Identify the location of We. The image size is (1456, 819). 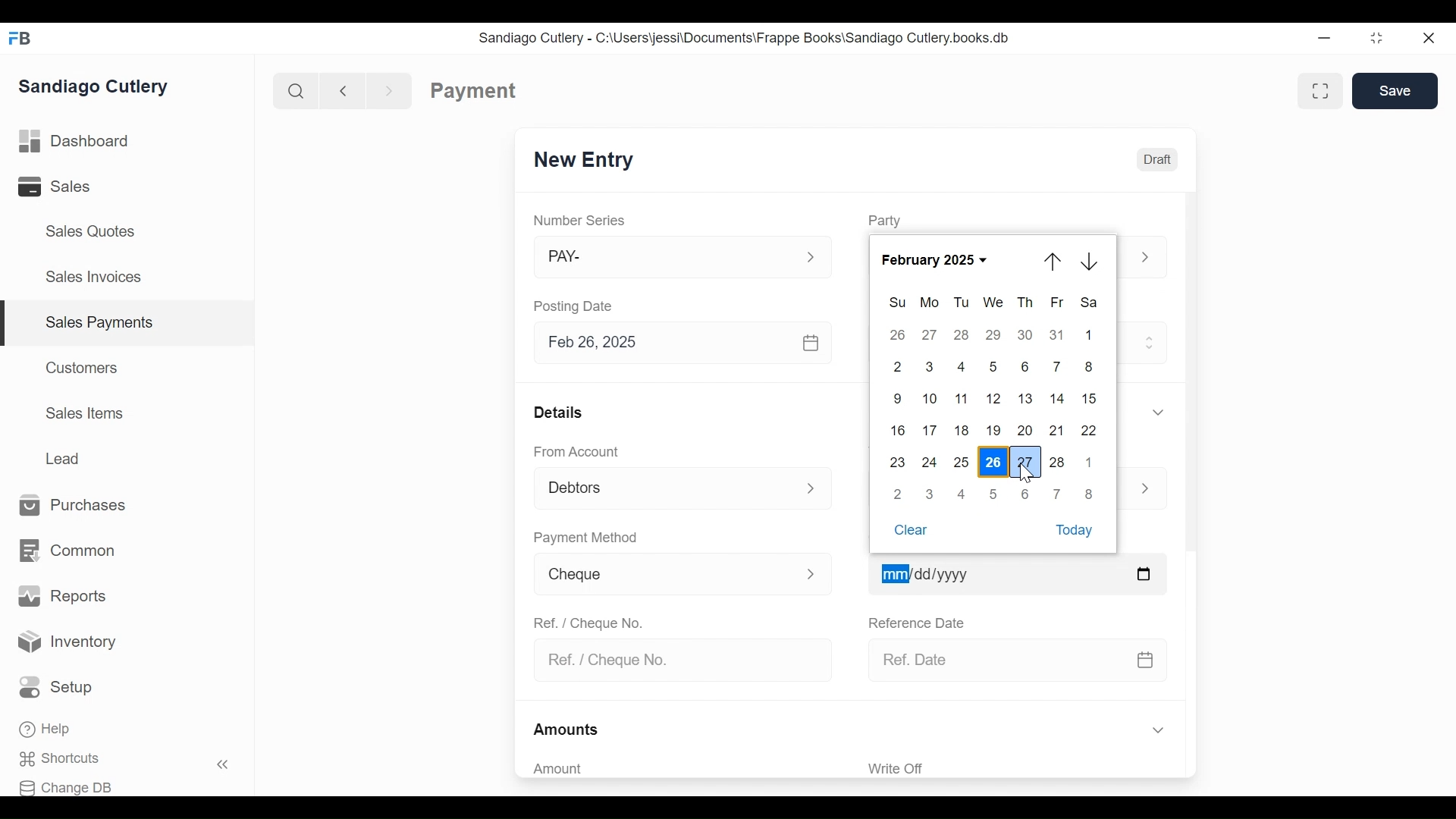
(994, 303).